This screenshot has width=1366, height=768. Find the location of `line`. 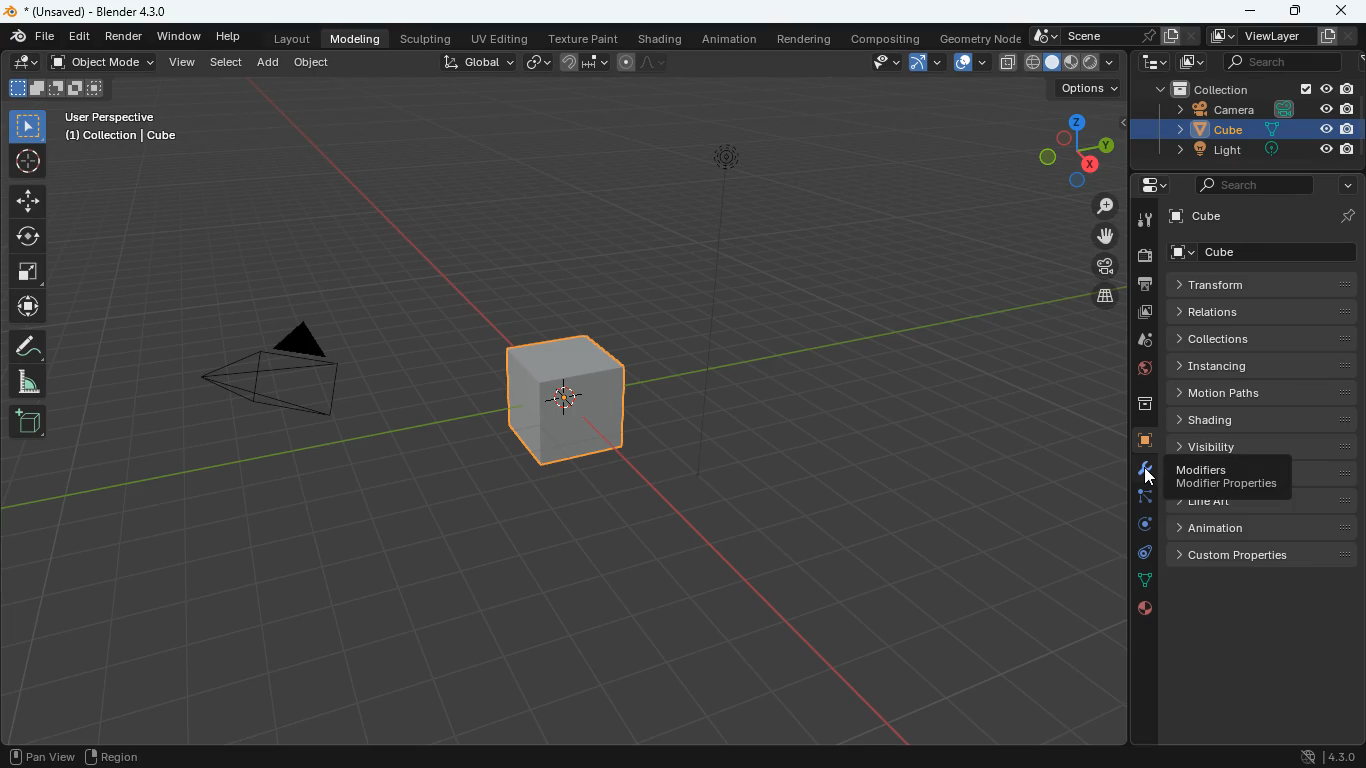

line is located at coordinates (645, 63).